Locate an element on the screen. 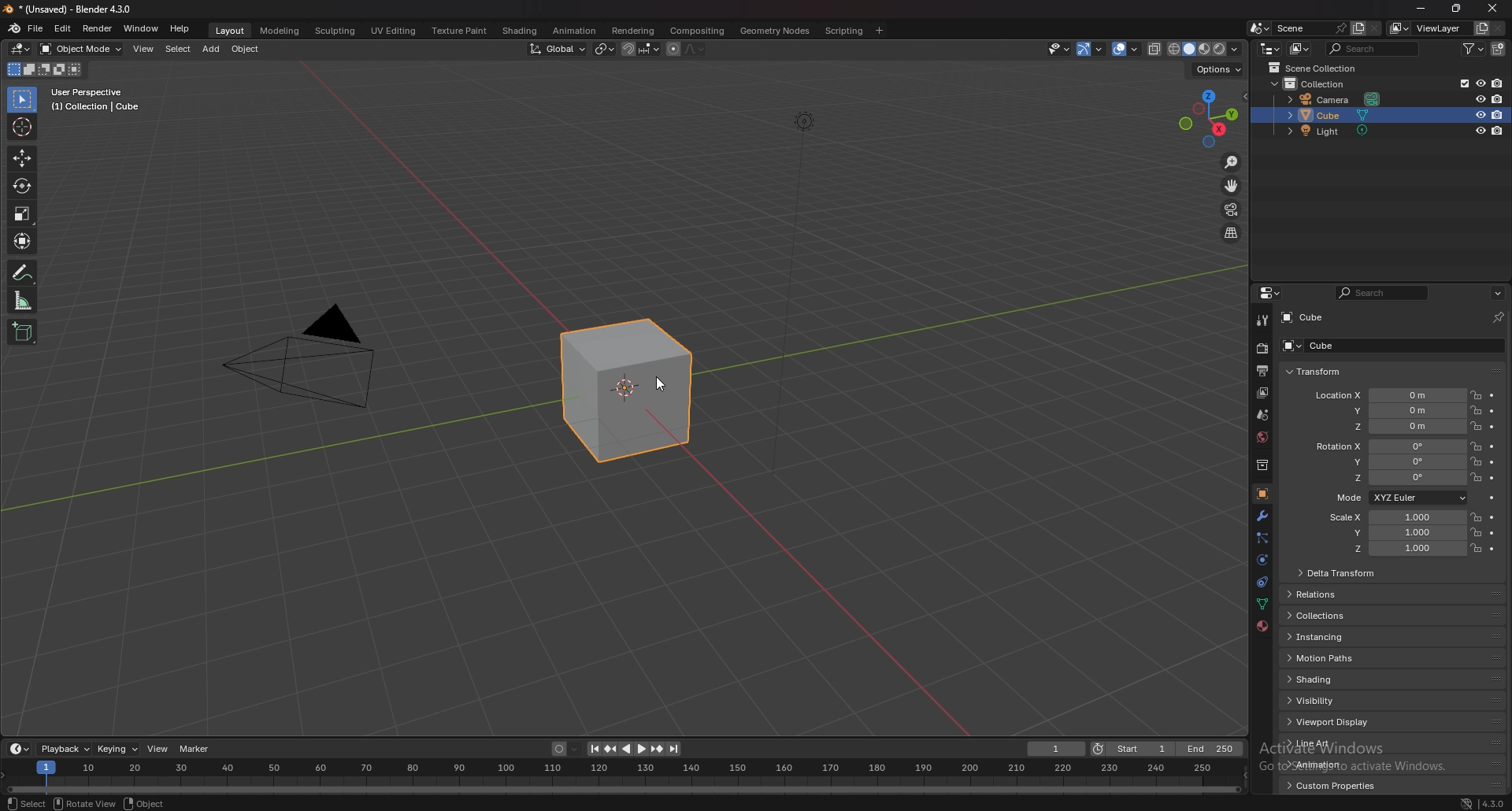 This screenshot has width=1512, height=811. start is located at coordinates (1135, 750).